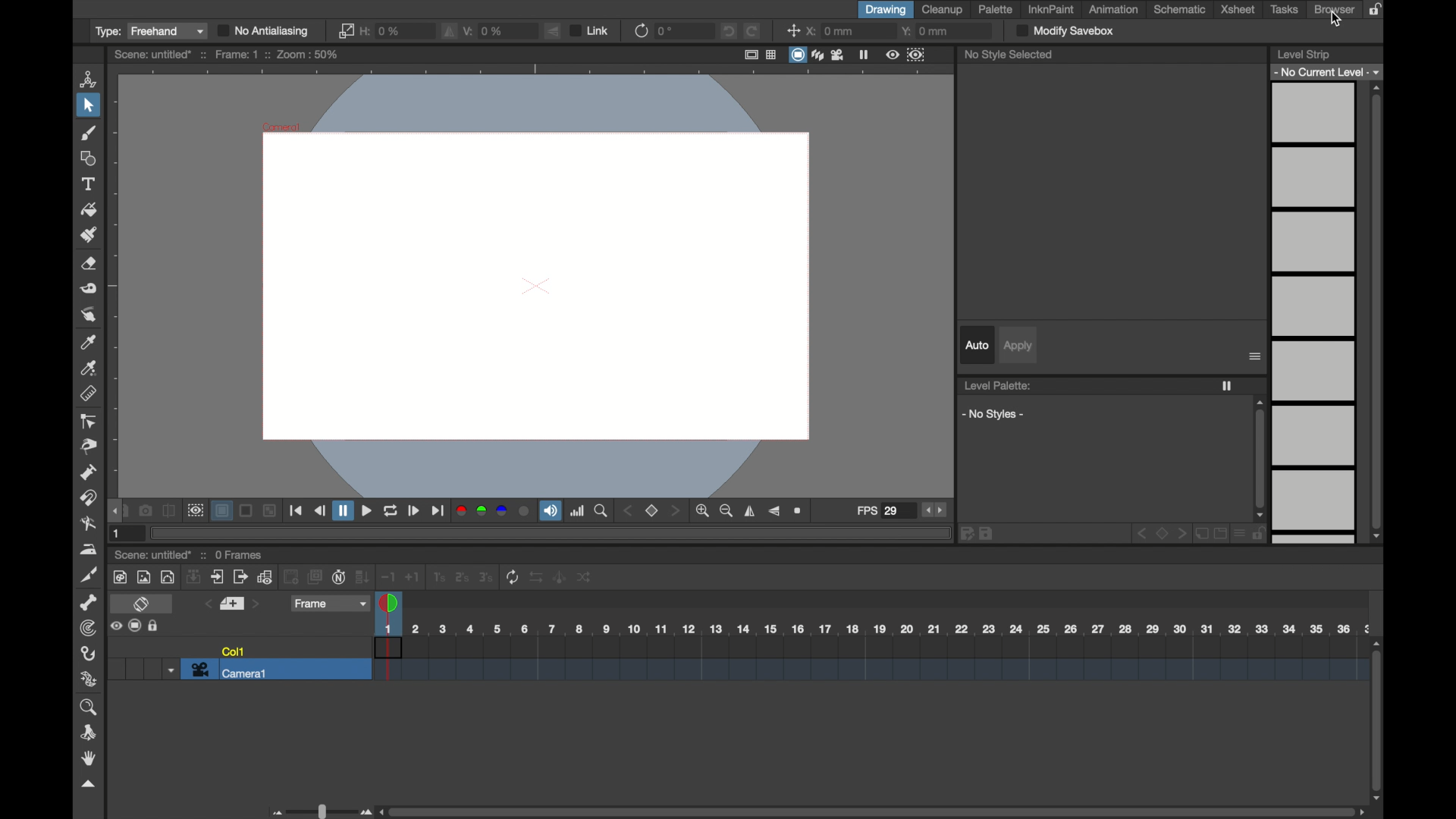  Describe the element at coordinates (492, 511) in the screenshot. I see `color channels` at that location.